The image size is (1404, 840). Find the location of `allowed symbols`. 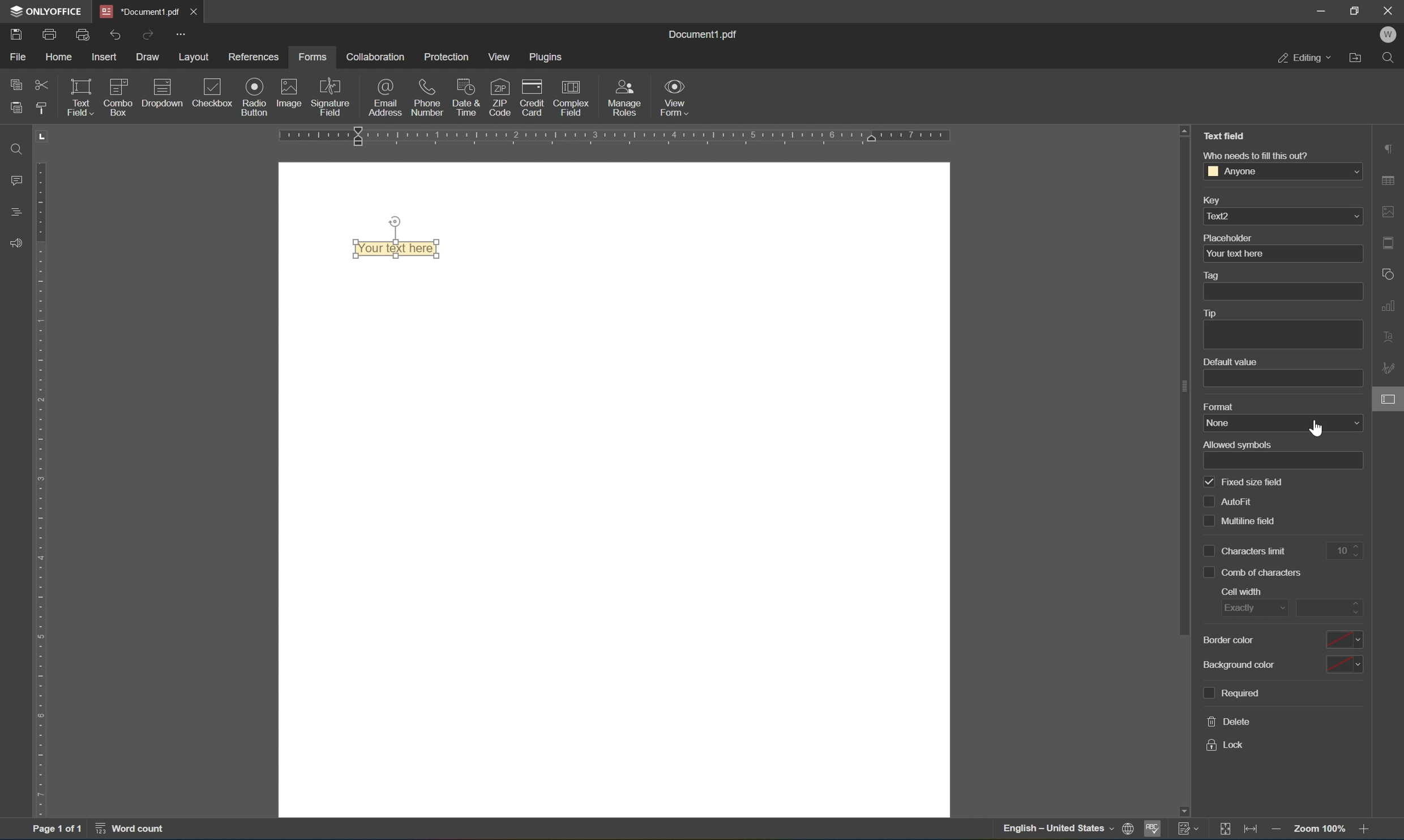

allowed symbols is located at coordinates (1233, 445).